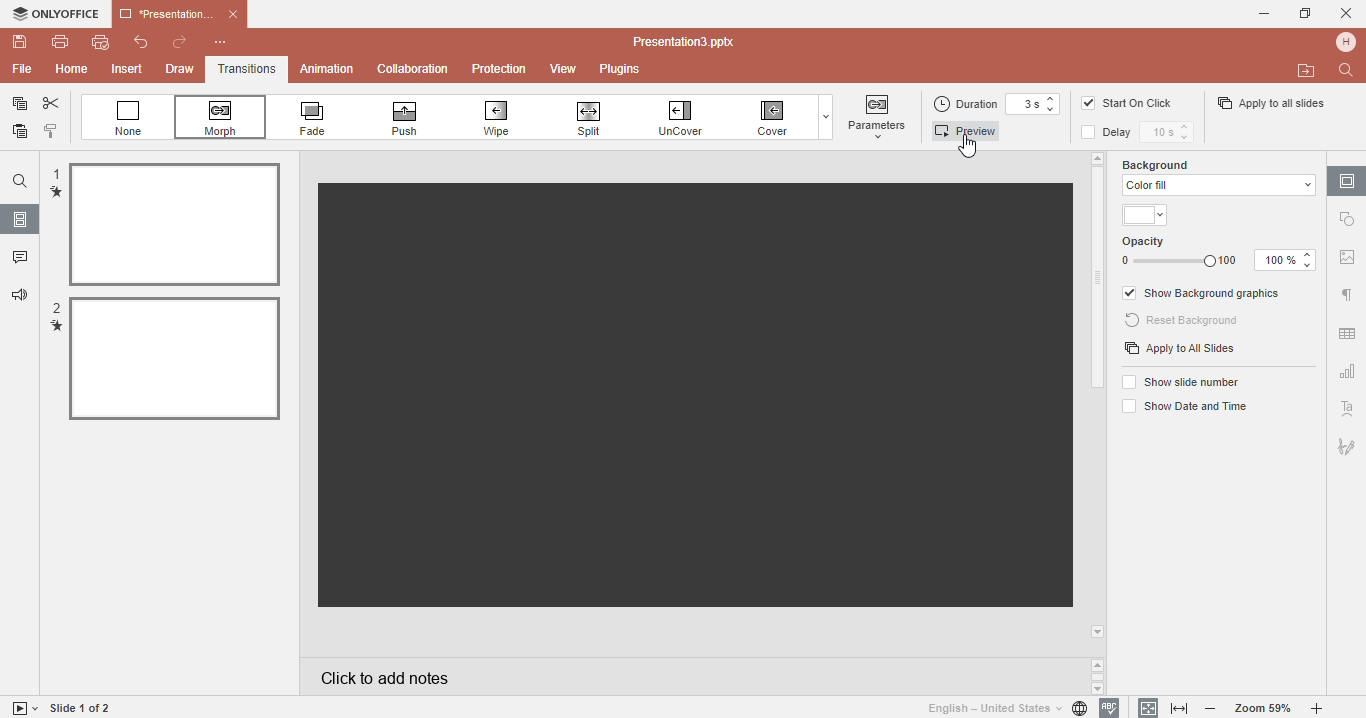 The width and height of the screenshot is (1366, 718). I want to click on Draw, so click(178, 70).